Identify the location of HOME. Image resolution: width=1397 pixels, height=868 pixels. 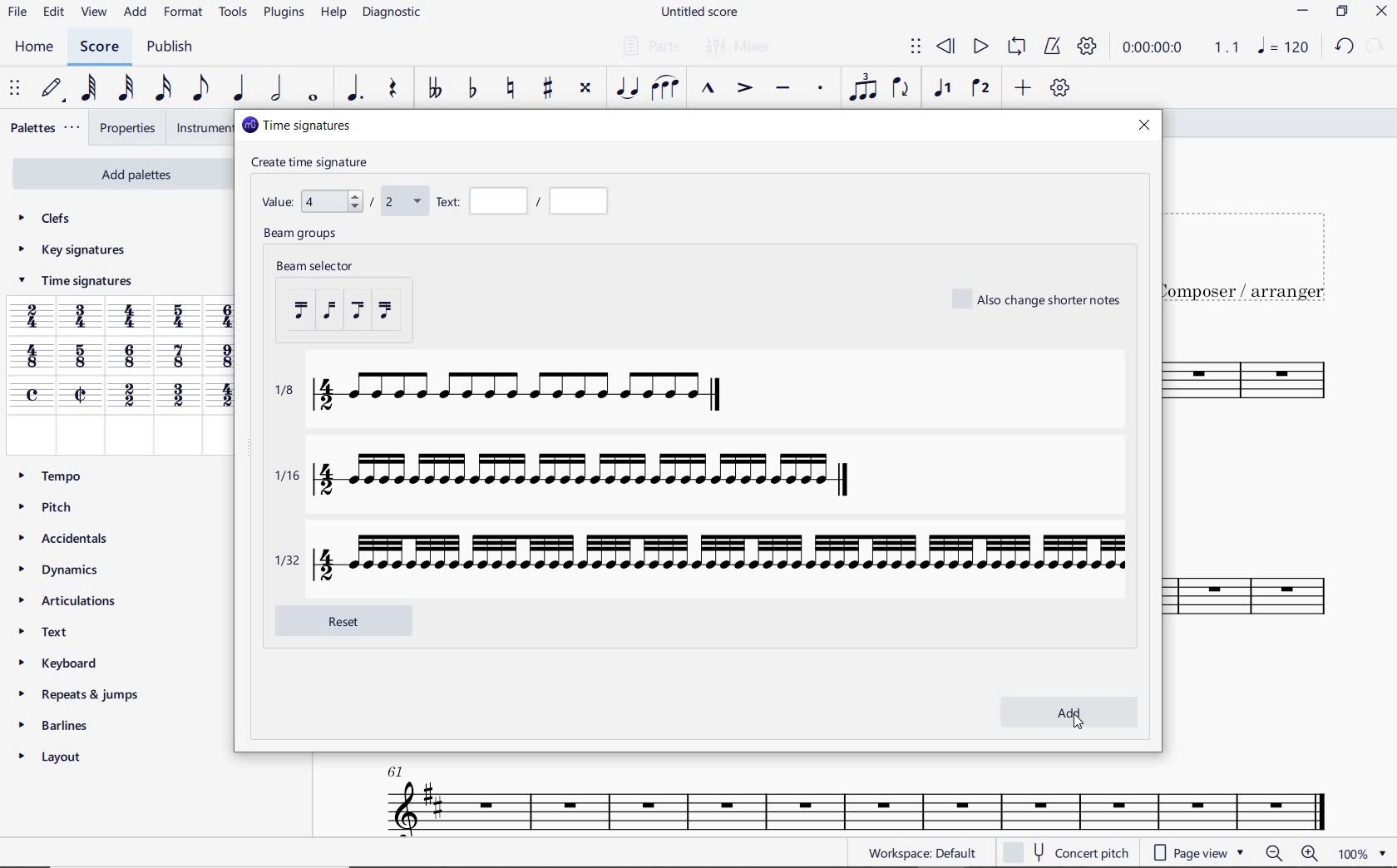
(35, 47).